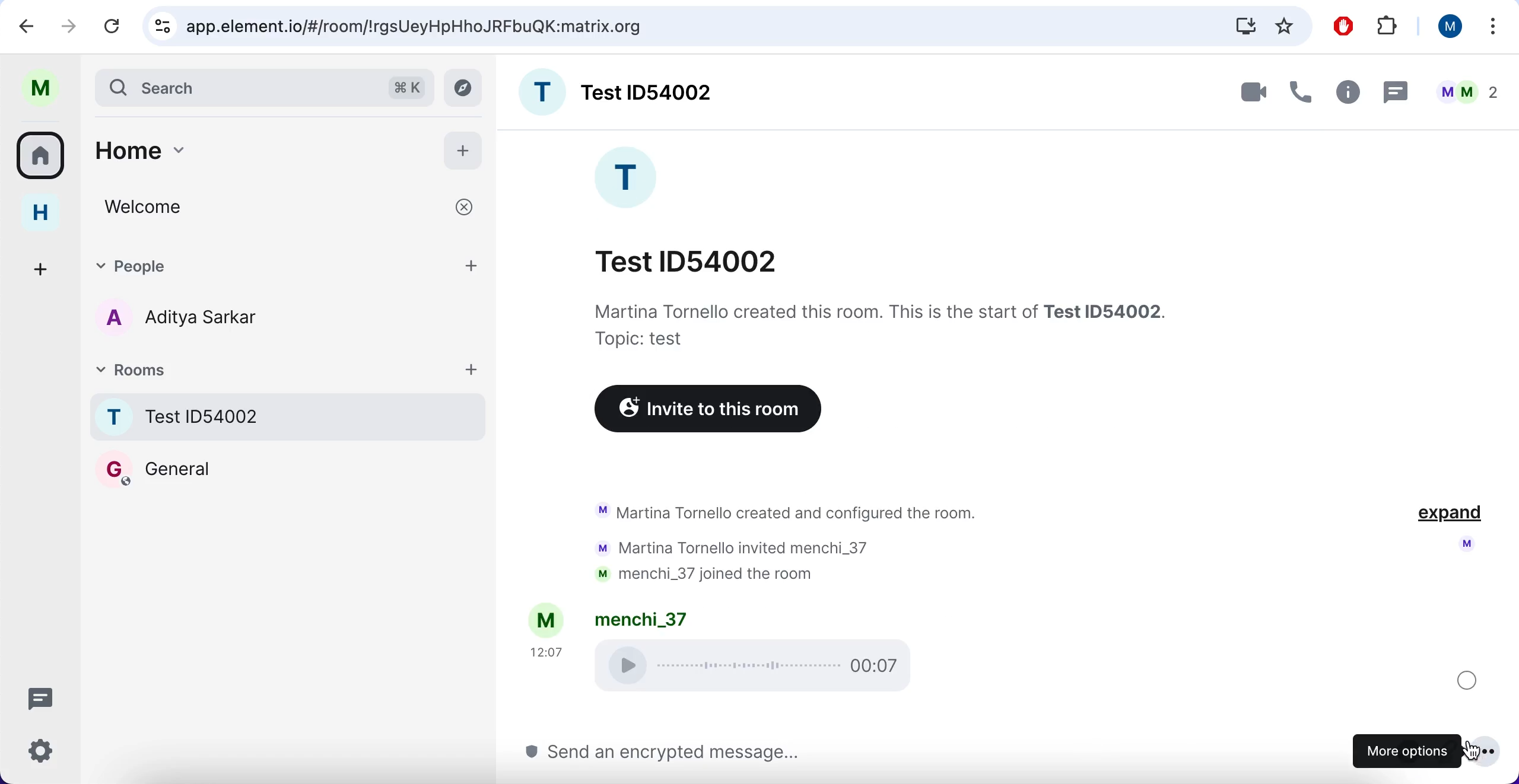  Describe the element at coordinates (40, 214) in the screenshot. I see `home` at that location.